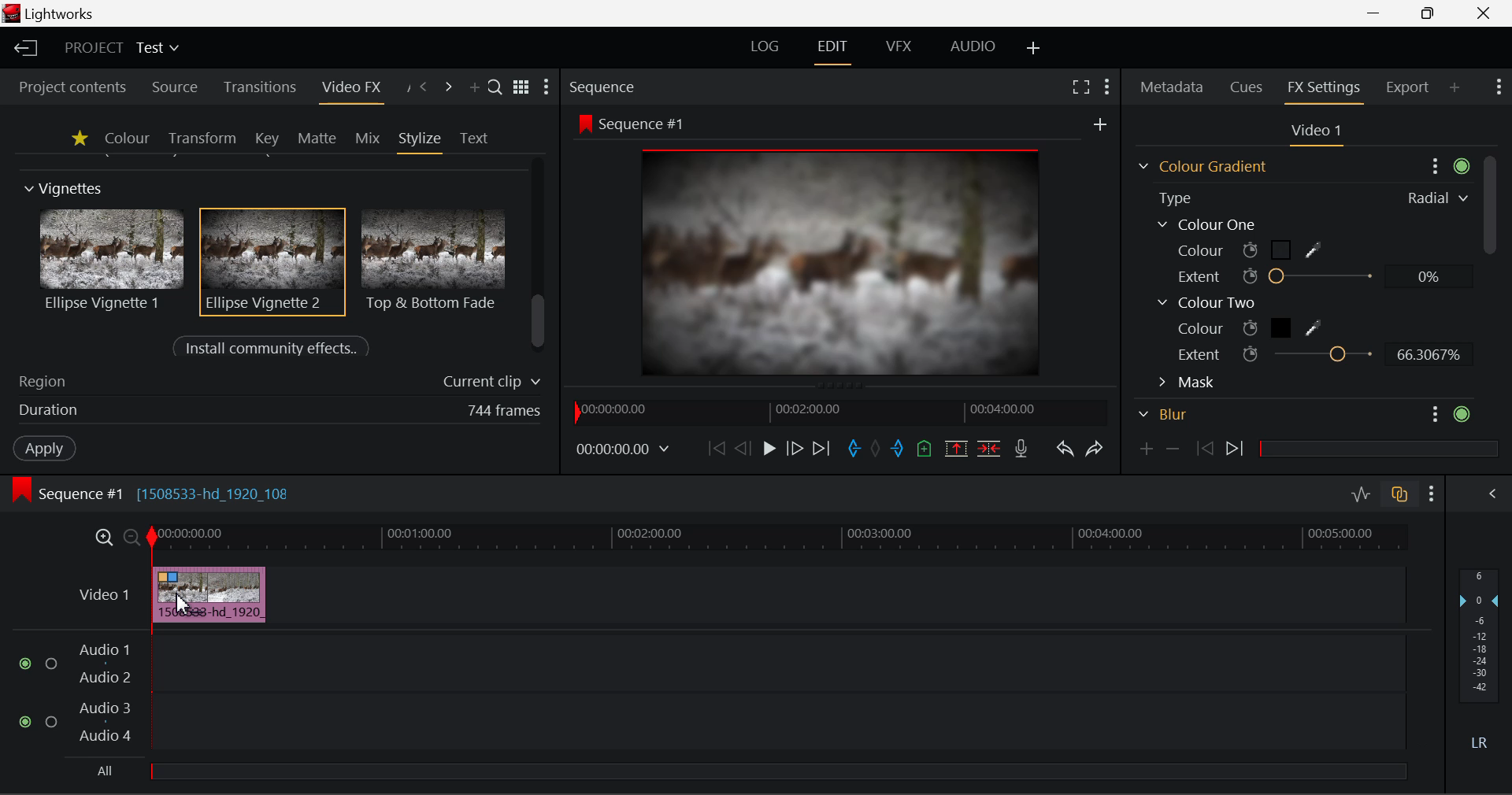 The image size is (1512, 795). Describe the element at coordinates (367, 137) in the screenshot. I see `Mix` at that location.